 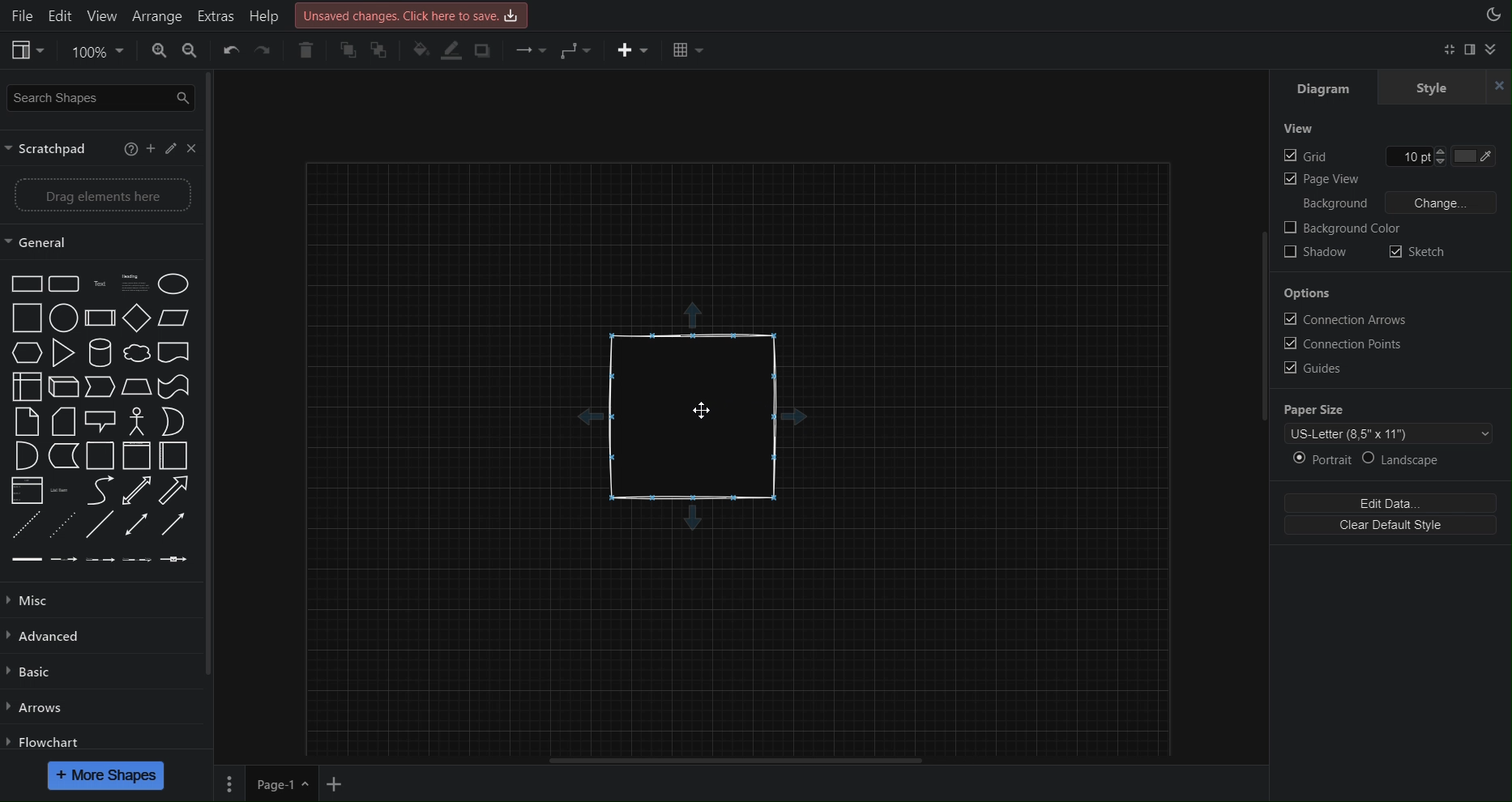 I want to click on Guides, so click(x=1317, y=369).